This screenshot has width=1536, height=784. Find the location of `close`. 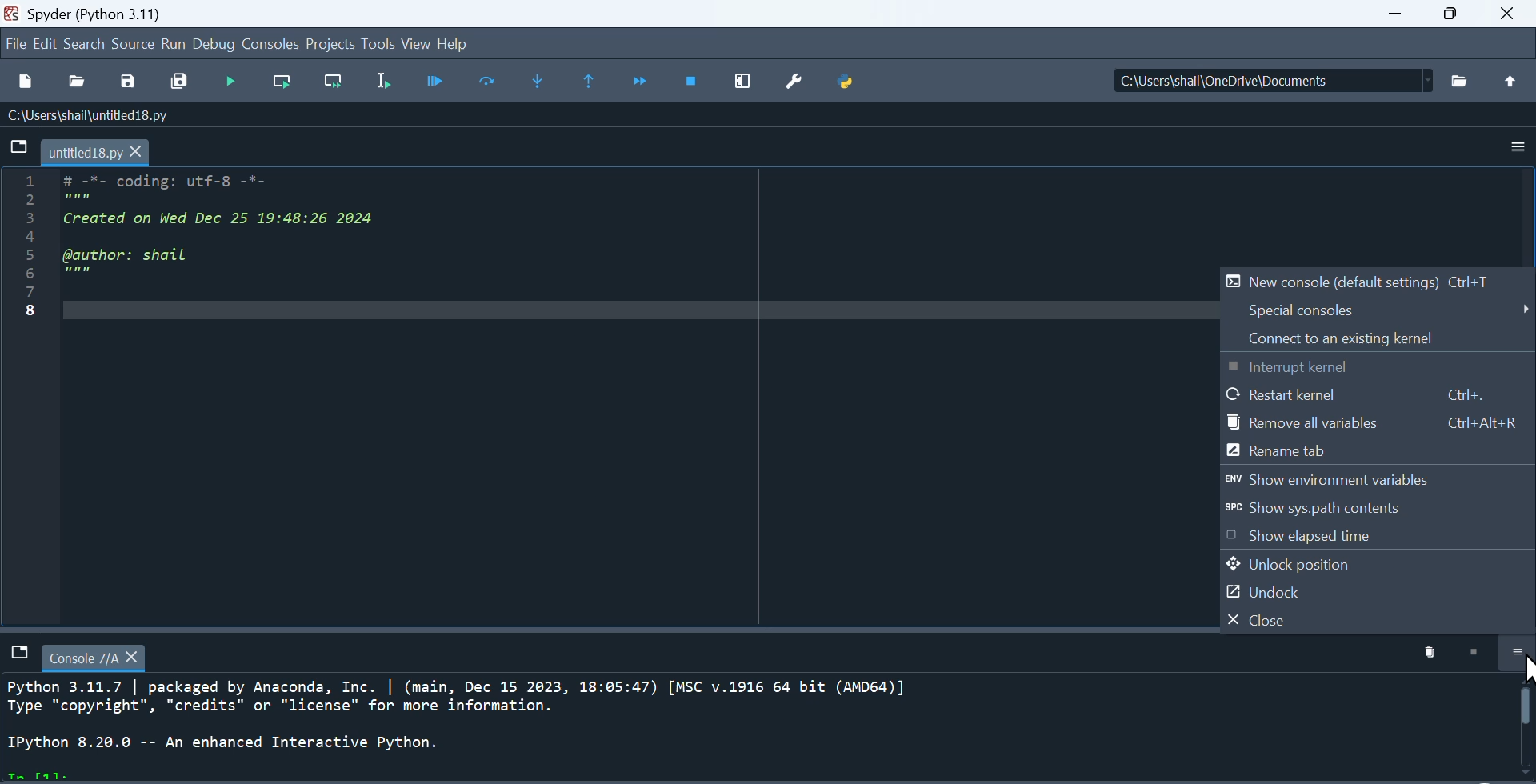

close is located at coordinates (1376, 620).